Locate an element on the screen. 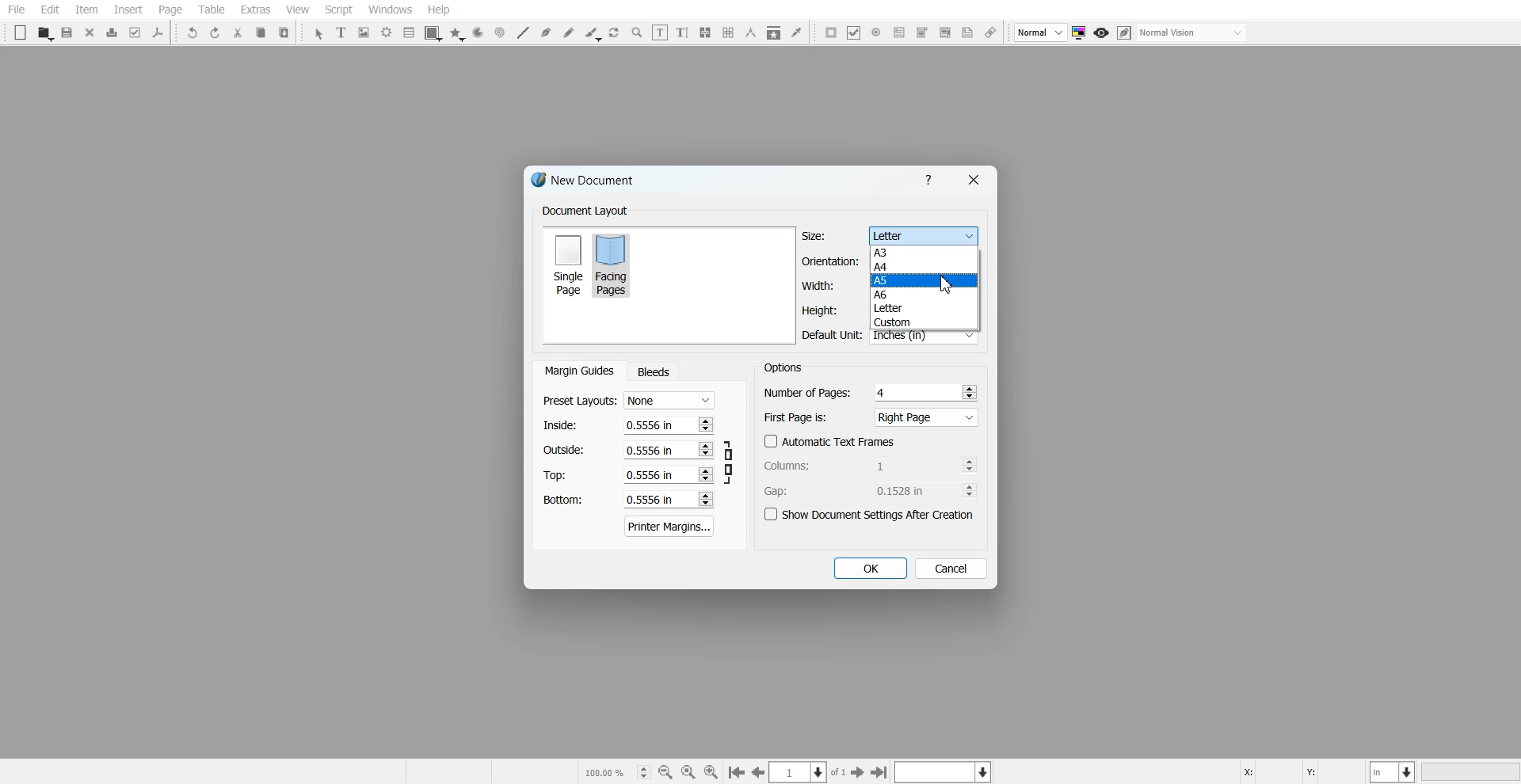 This screenshot has height=784, width=1521. Edit is located at coordinates (49, 10).